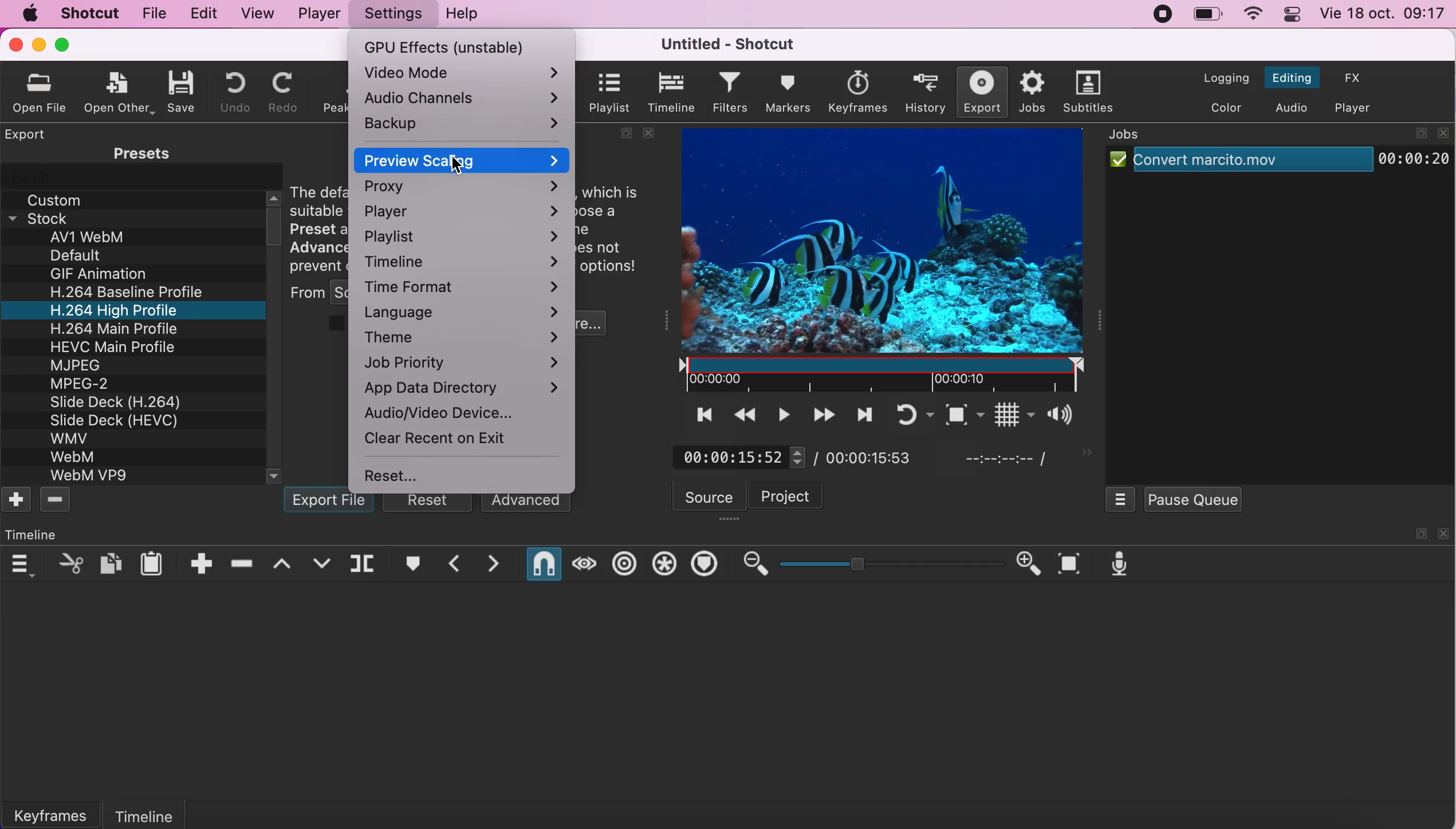 This screenshot has width=1456, height=829. What do you see at coordinates (40, 44) in the screenshot?
I see `minimize` at bounding box center [40, 44].